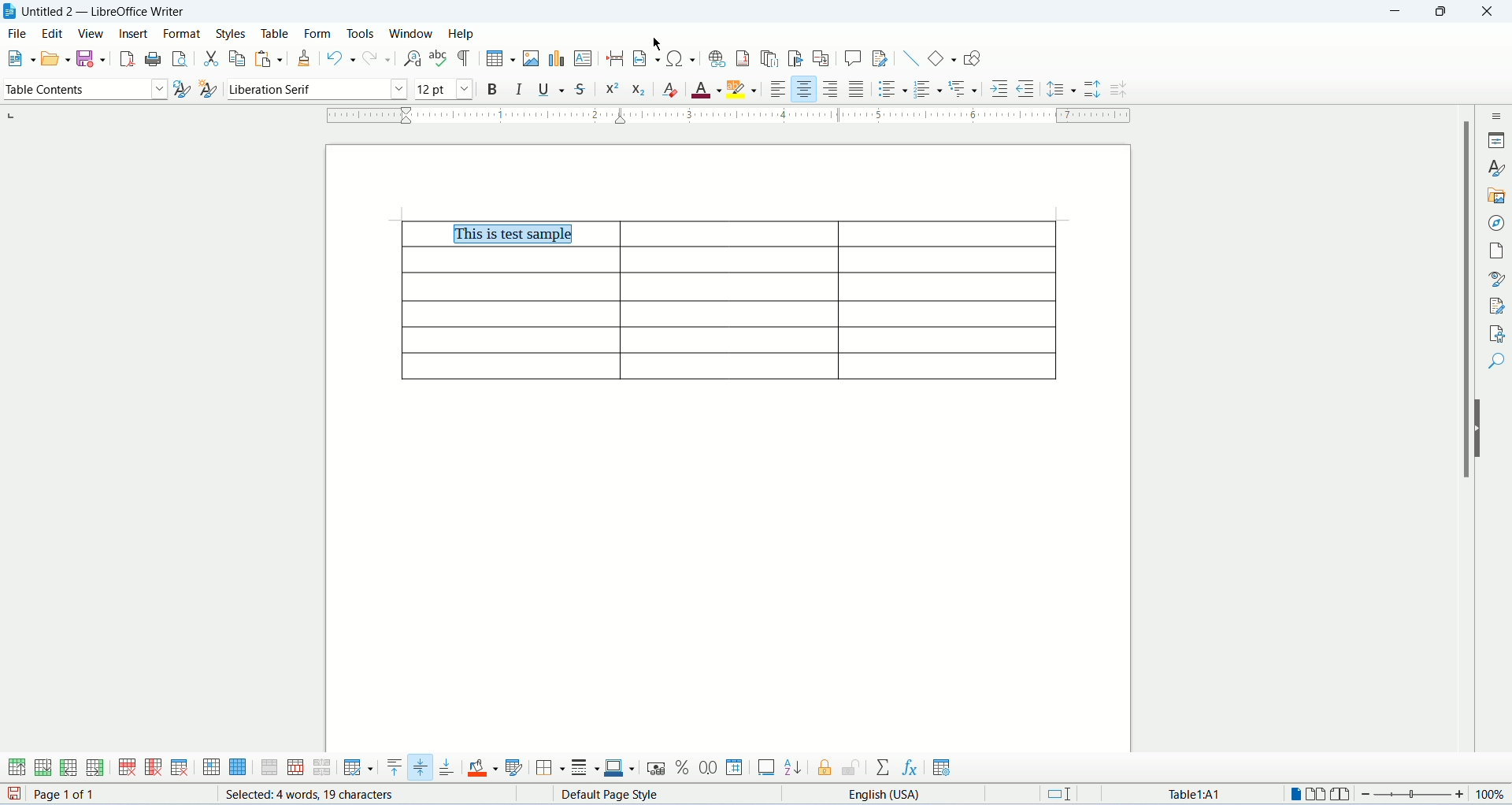 The width and height of the screenshot is (1512, 805). Describe the element at coordinates (1497, 362) in the screenshot. I see `find` at that location.